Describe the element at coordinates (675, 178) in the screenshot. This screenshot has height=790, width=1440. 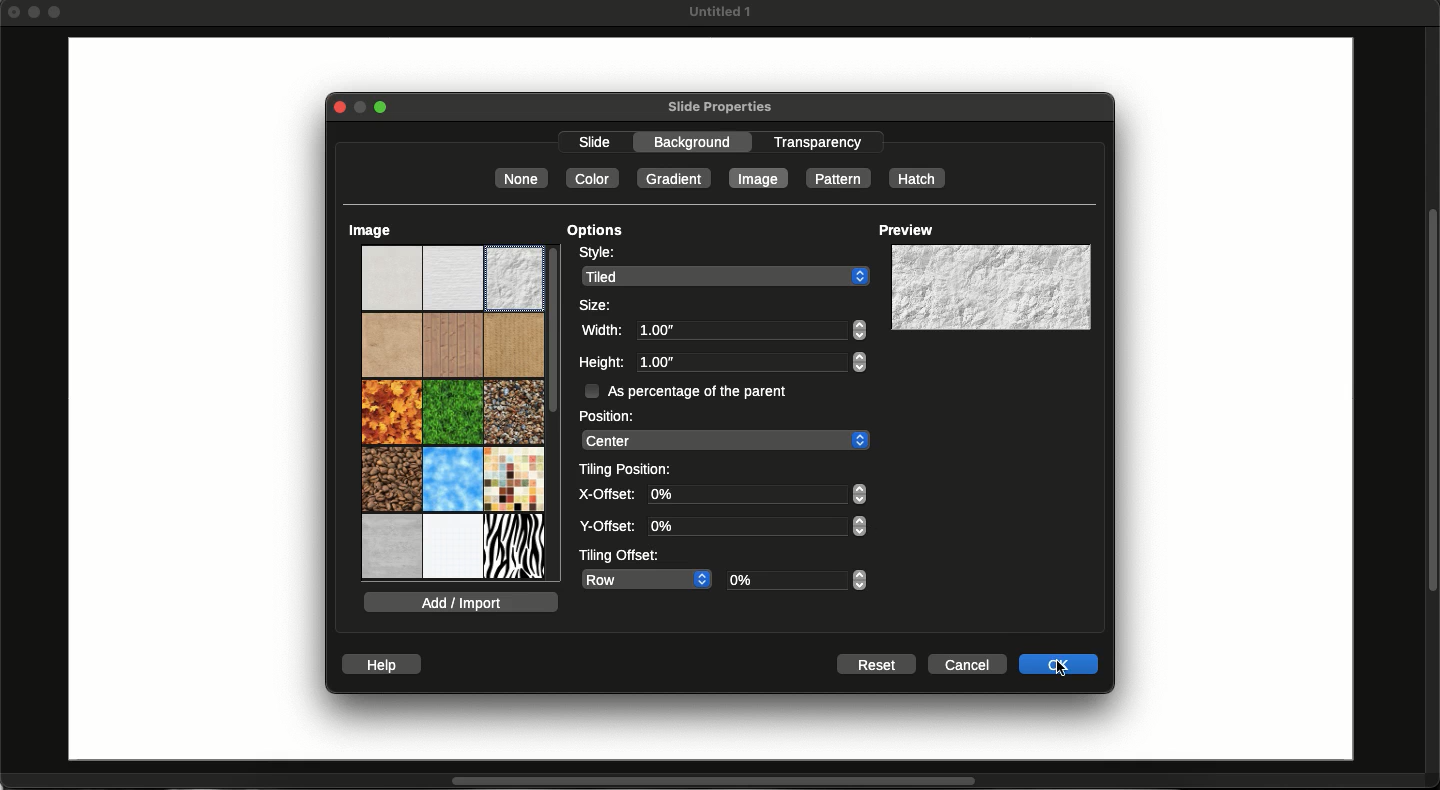
I see `Gradient` at that location.